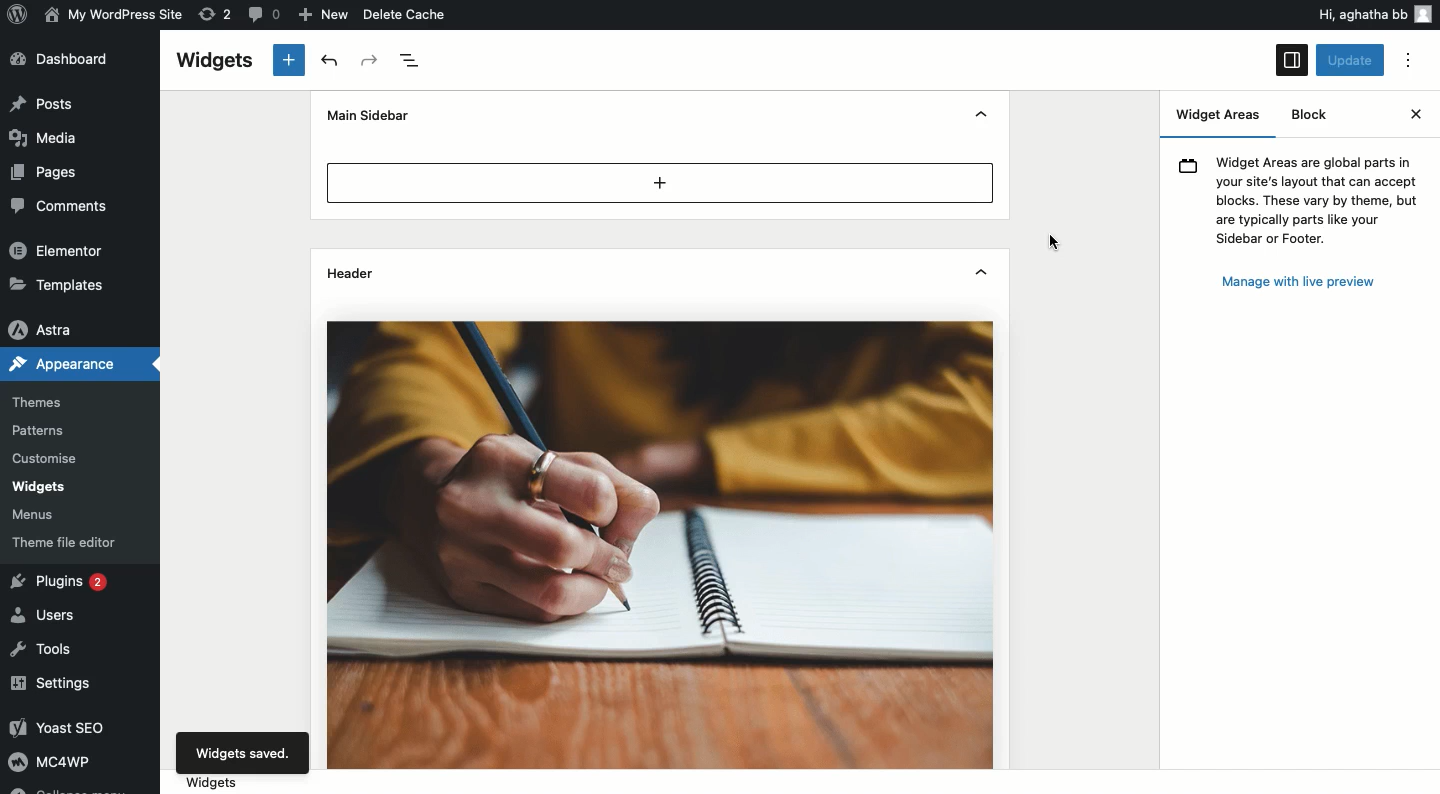  Describe the element at coordinates (53, 685) in the screenshot. I see `Settings` at that location.